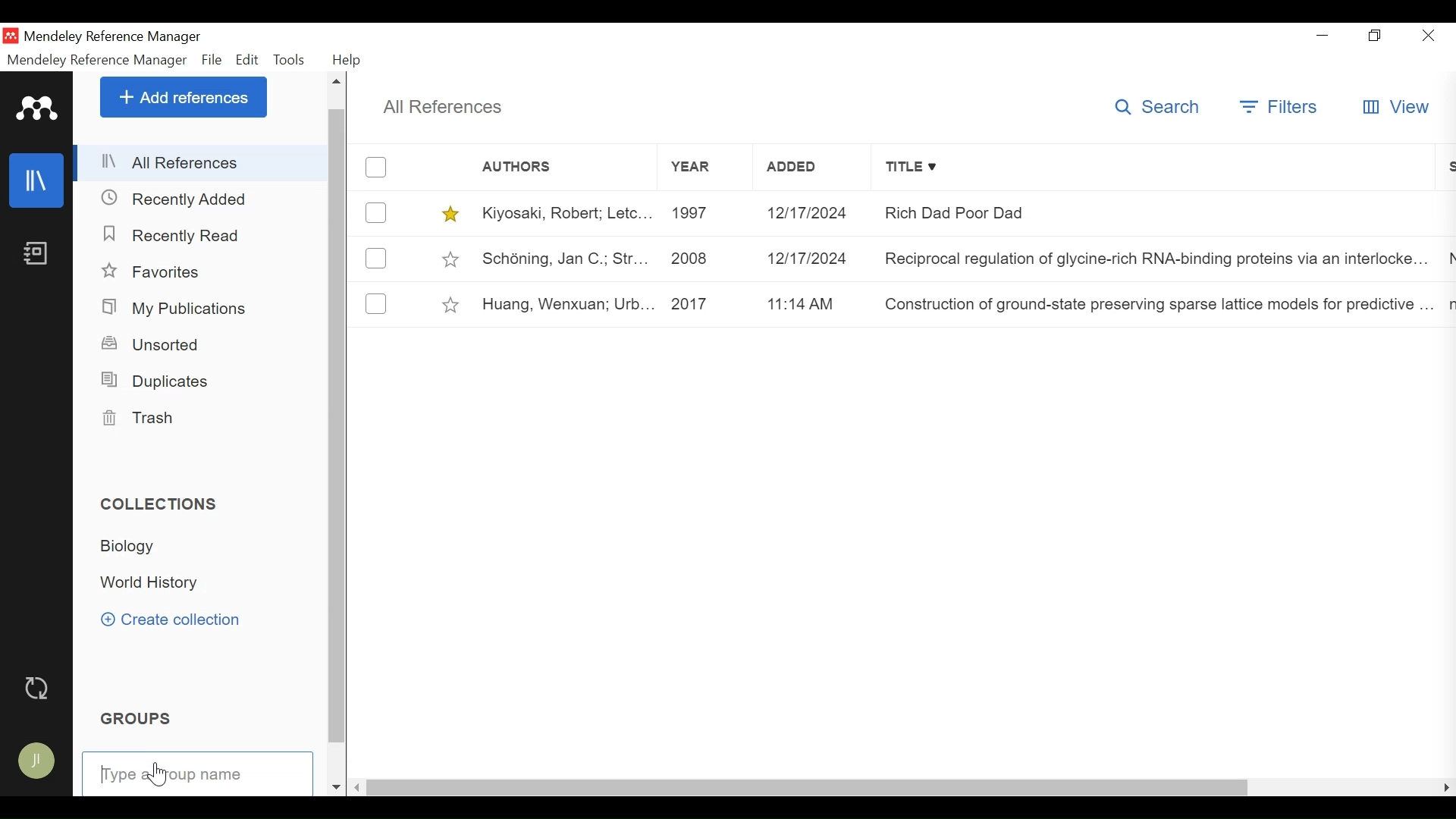  I want to click on Add References, so click(184, 96).